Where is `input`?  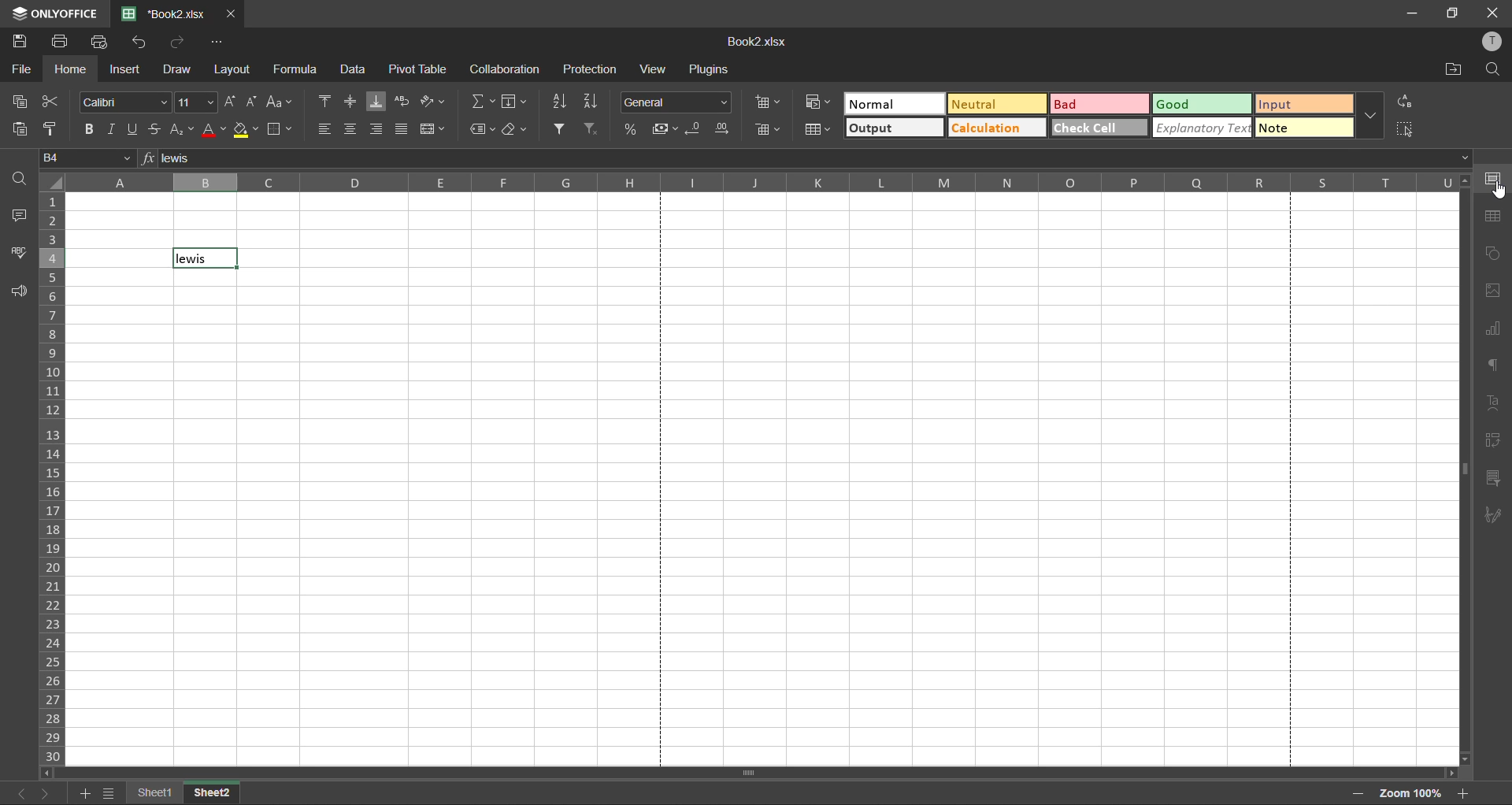 input is located at coordinates (1304, 105).